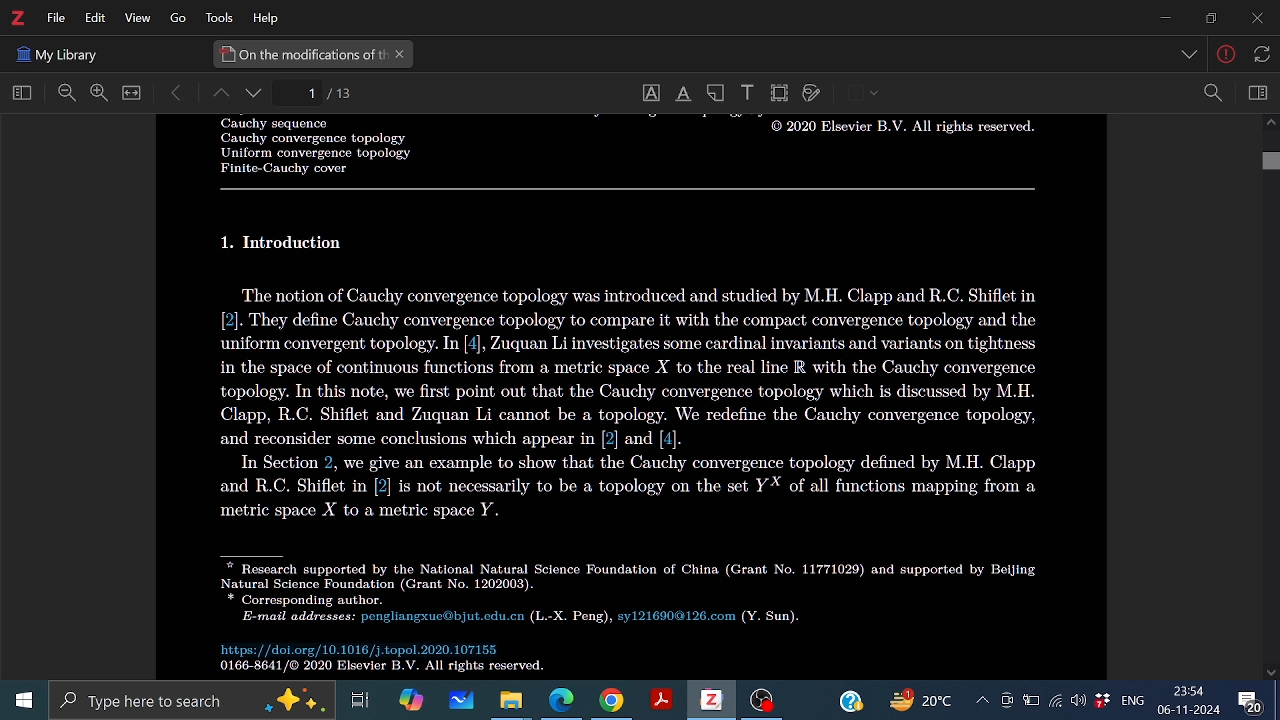 This screenshot has width=1280, height=720. I want to click on Zotero, so click(710, 700).